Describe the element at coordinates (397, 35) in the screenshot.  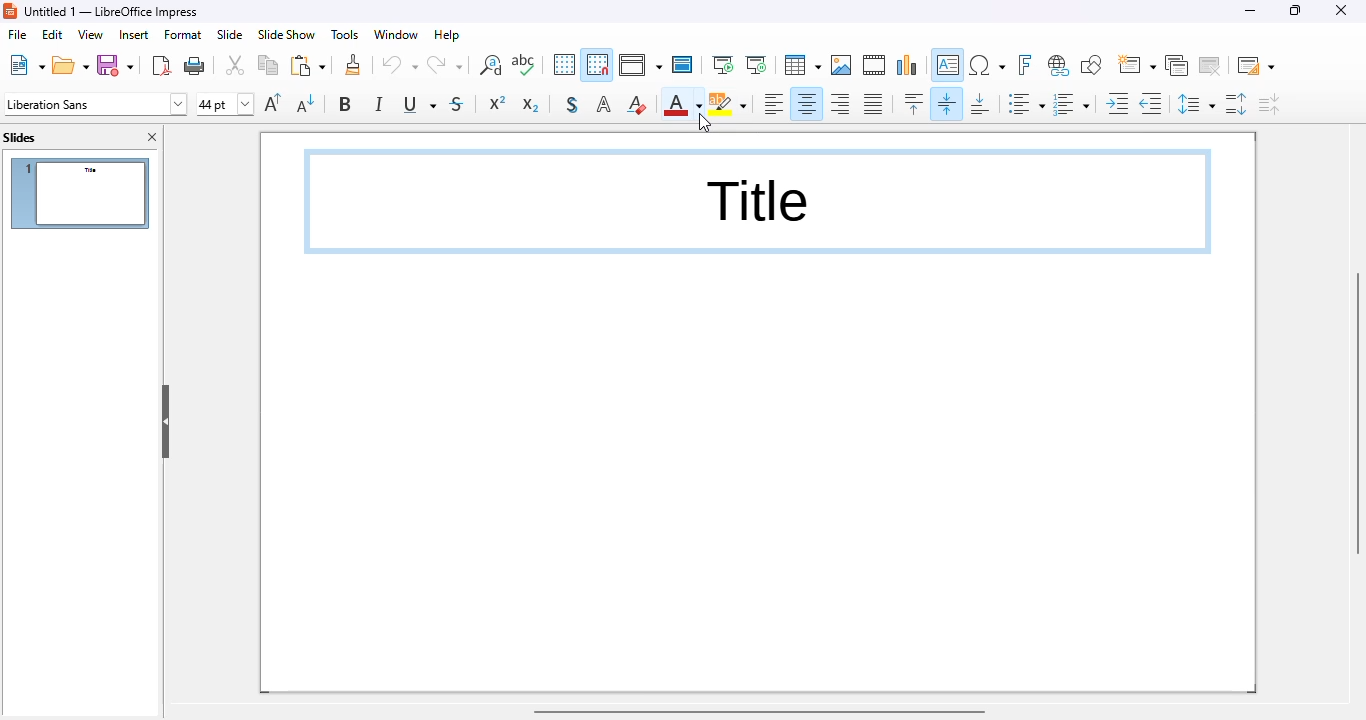
I see `window` at that location.